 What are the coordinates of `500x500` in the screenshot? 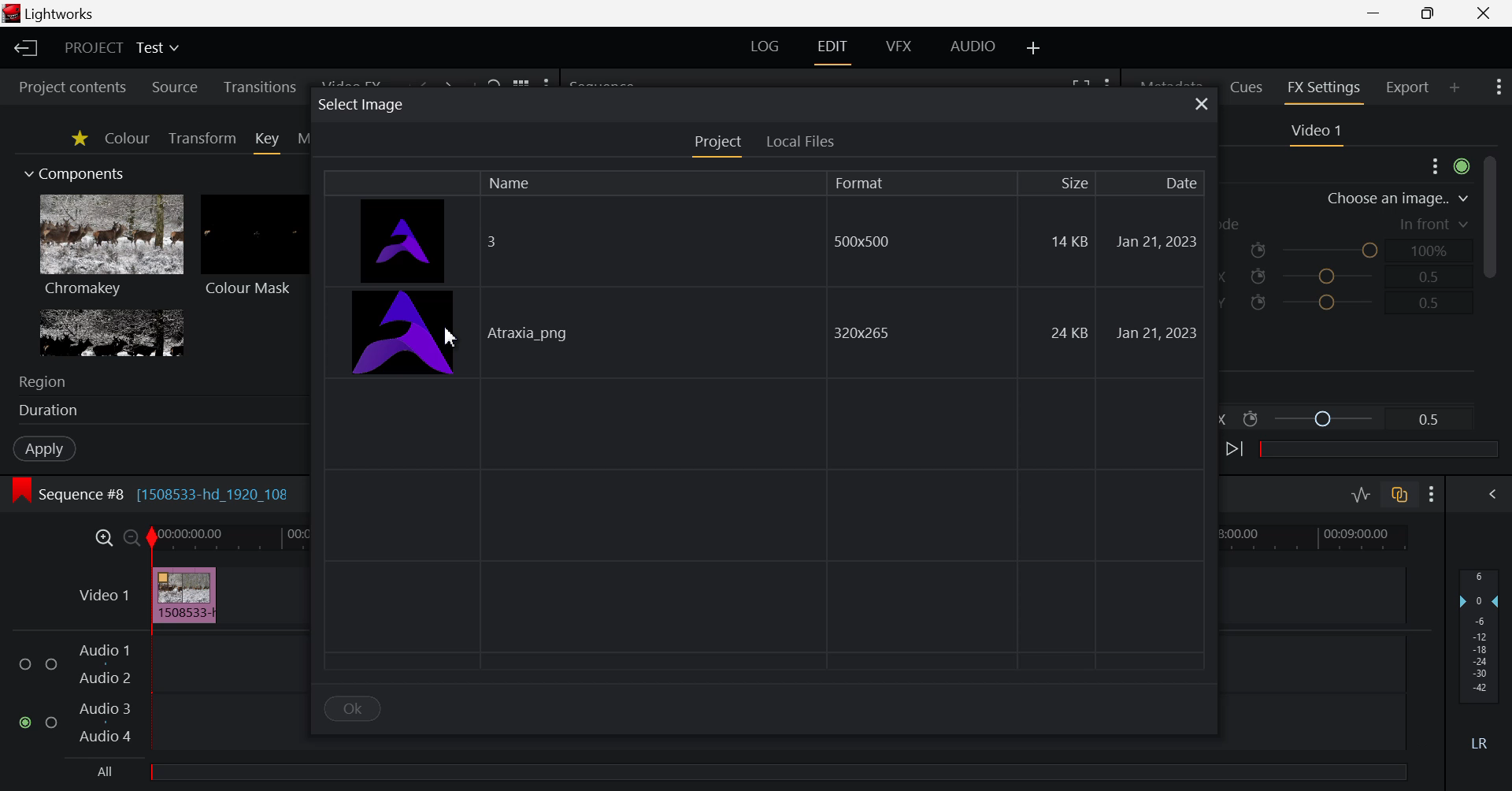 It's located at (864, 241).